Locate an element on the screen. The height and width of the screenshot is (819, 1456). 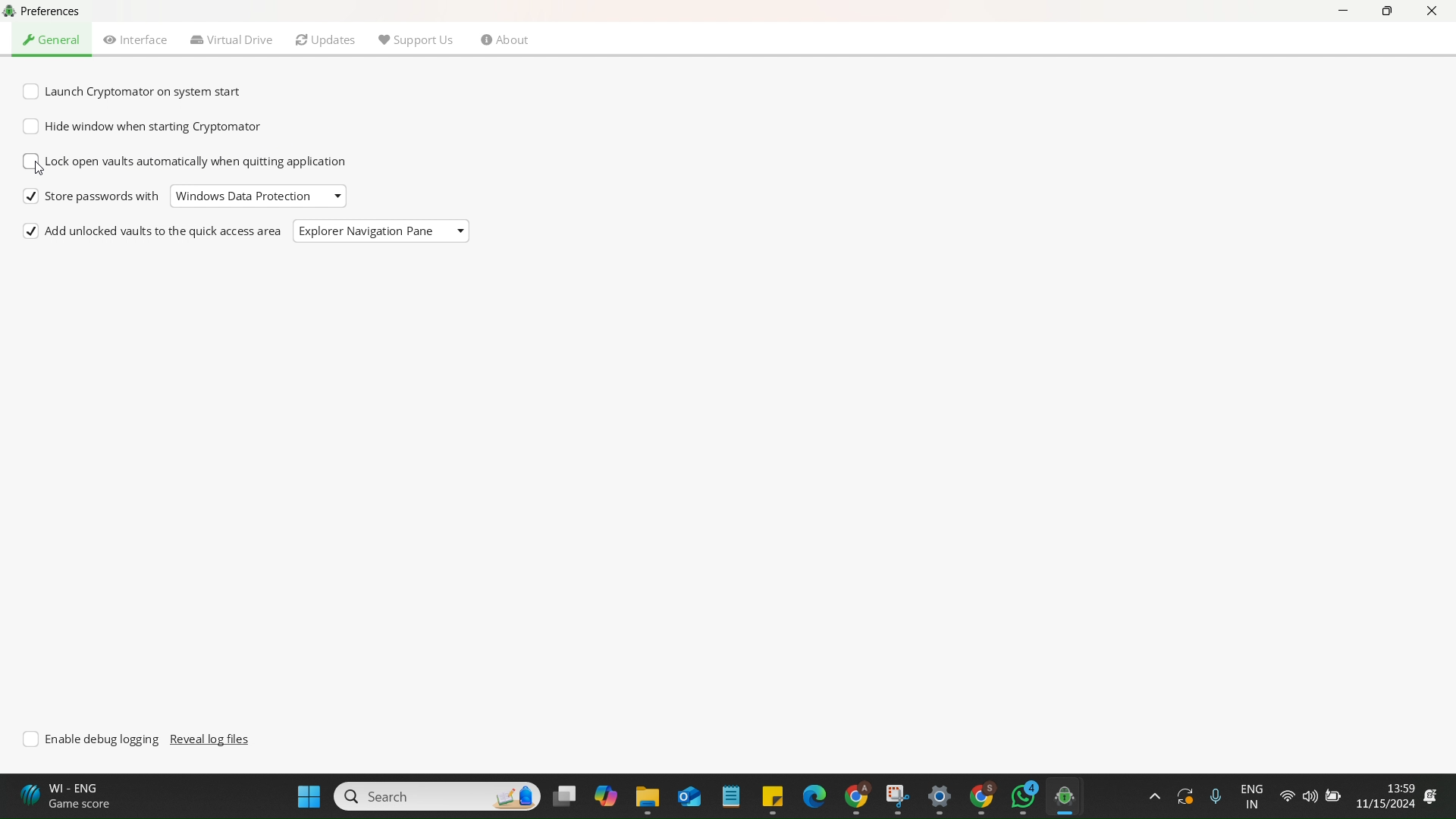
Store Password With is located at coordinates (92, 197).